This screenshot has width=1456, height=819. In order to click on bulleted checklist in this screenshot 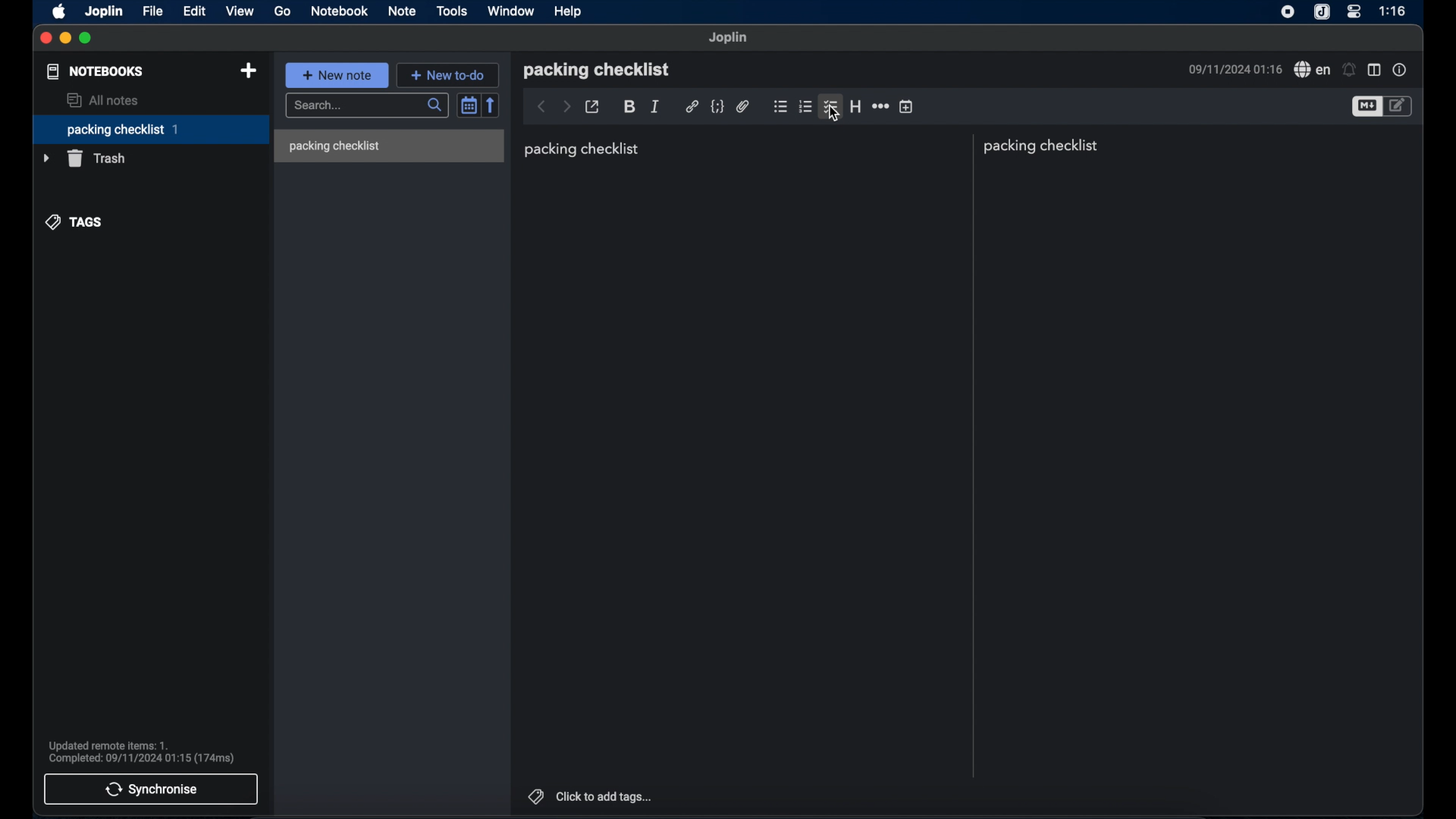, I will do `click(830, 108)`.